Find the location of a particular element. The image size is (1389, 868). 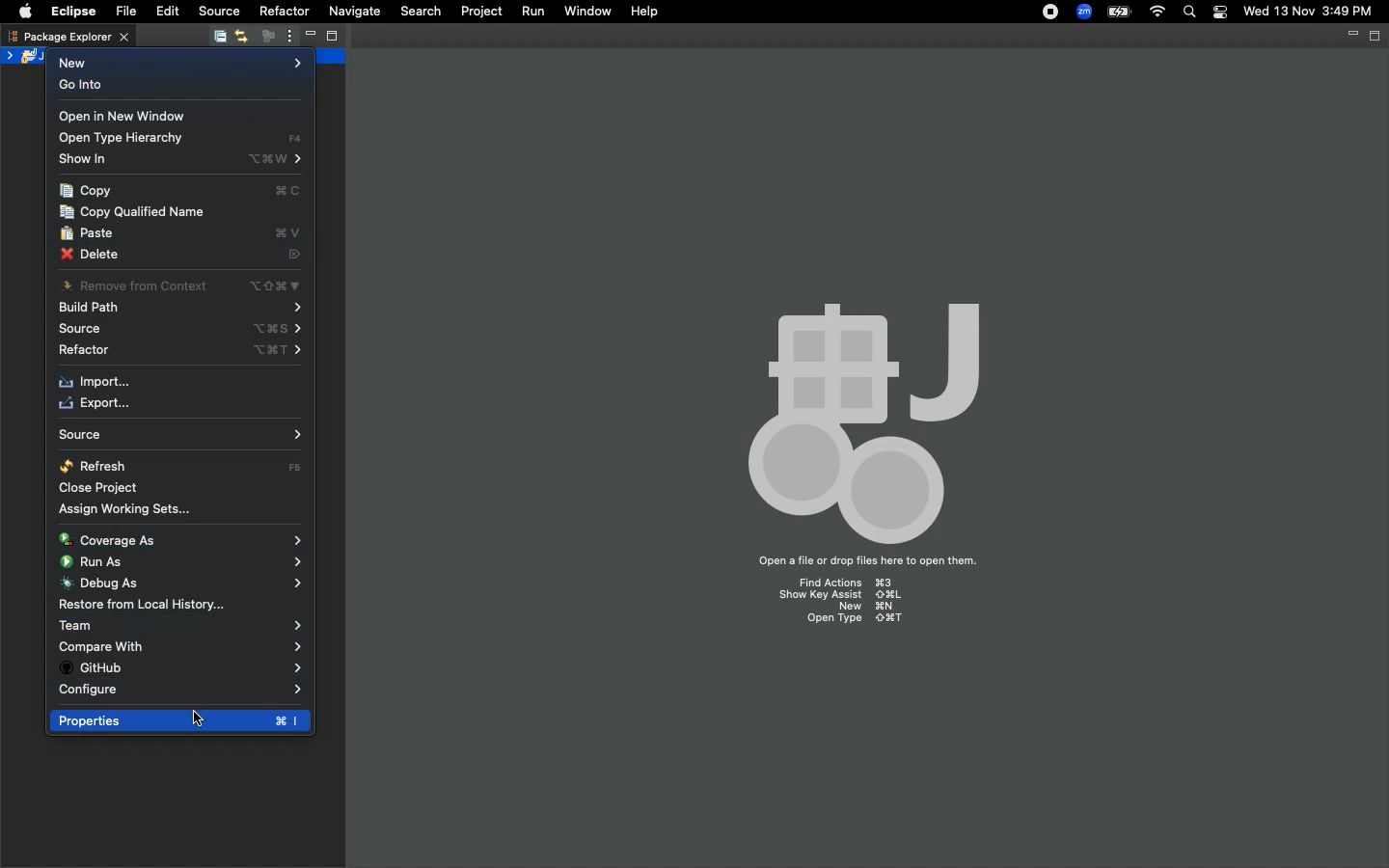

Help is located at coordinates (643, 12).